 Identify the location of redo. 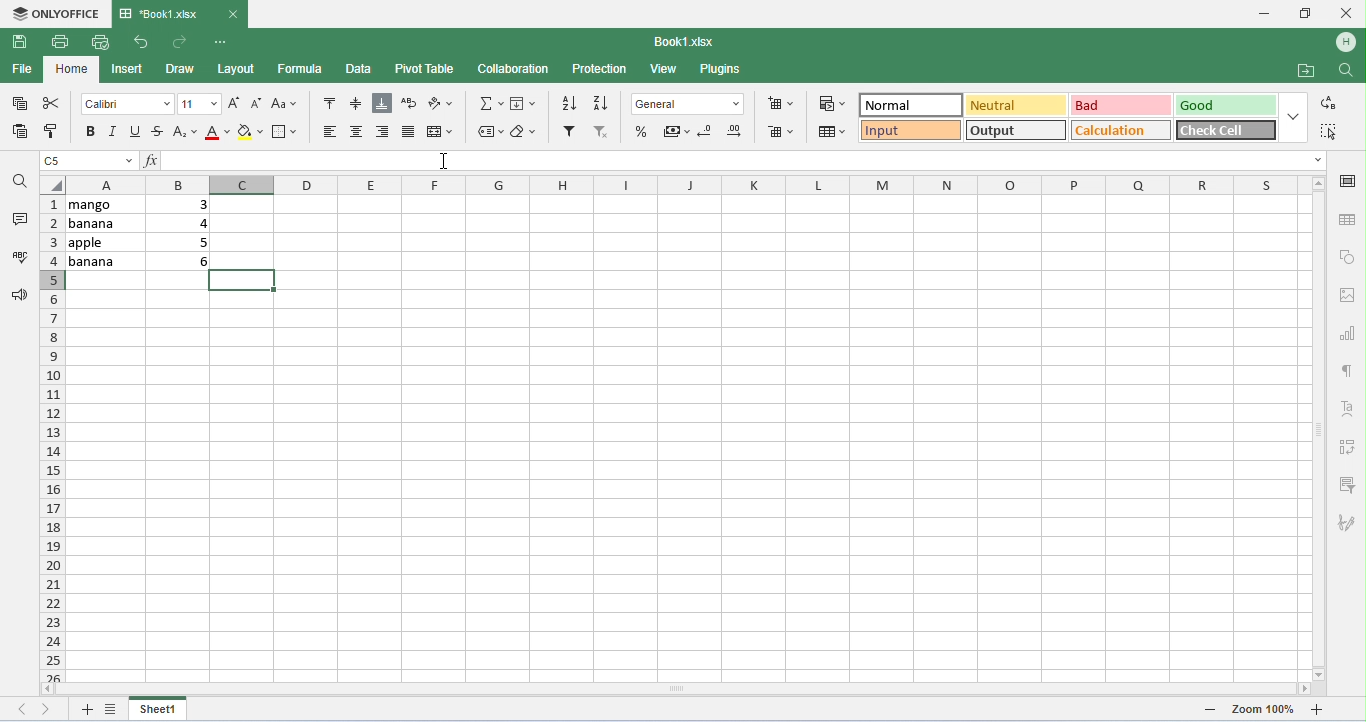
(182, 41).